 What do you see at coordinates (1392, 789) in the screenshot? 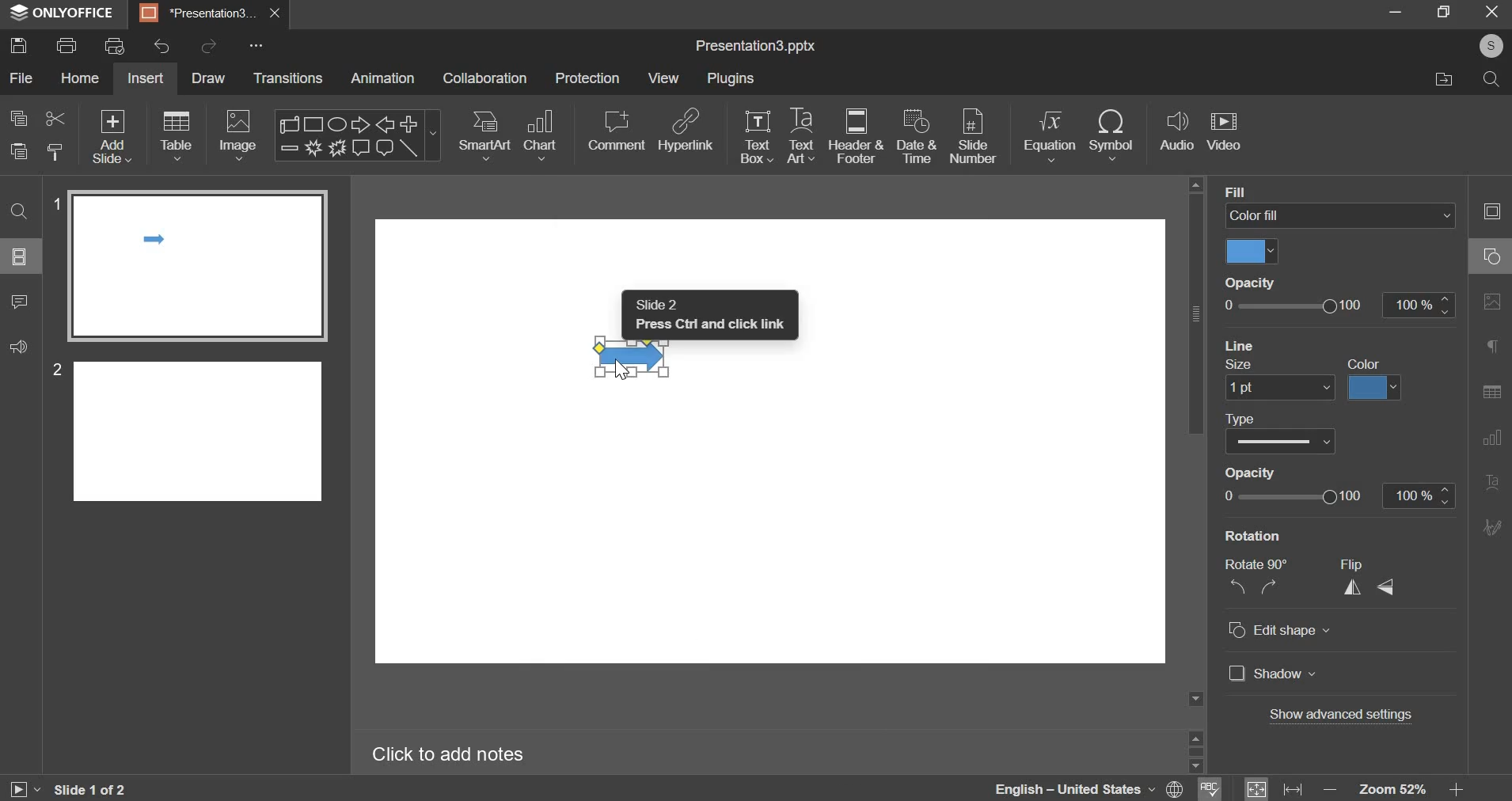
I see `zoom 52%` at bounding box center [1392, 789].